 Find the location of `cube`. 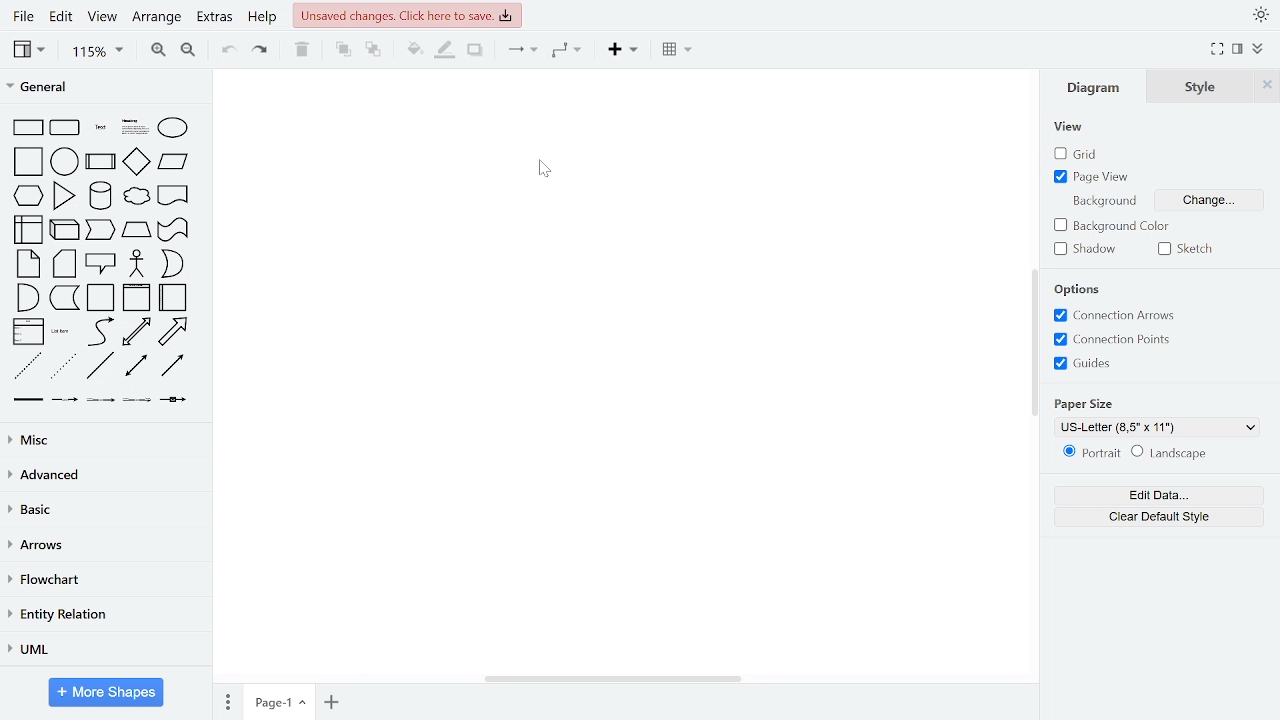

cube is located at coordinates (66, 229).